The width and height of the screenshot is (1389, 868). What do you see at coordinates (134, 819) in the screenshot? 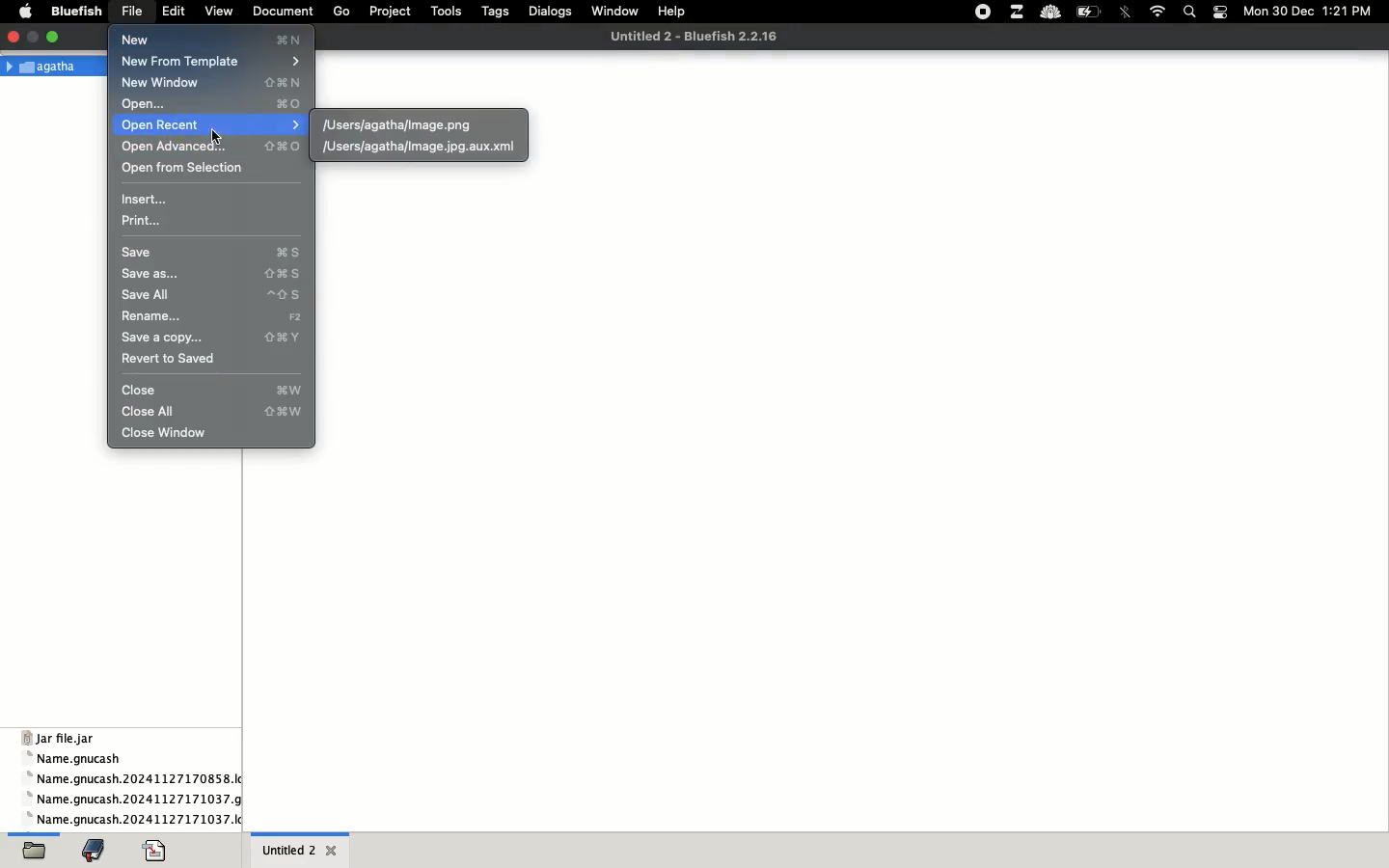
I see `name` at bounding box center [134, 819].